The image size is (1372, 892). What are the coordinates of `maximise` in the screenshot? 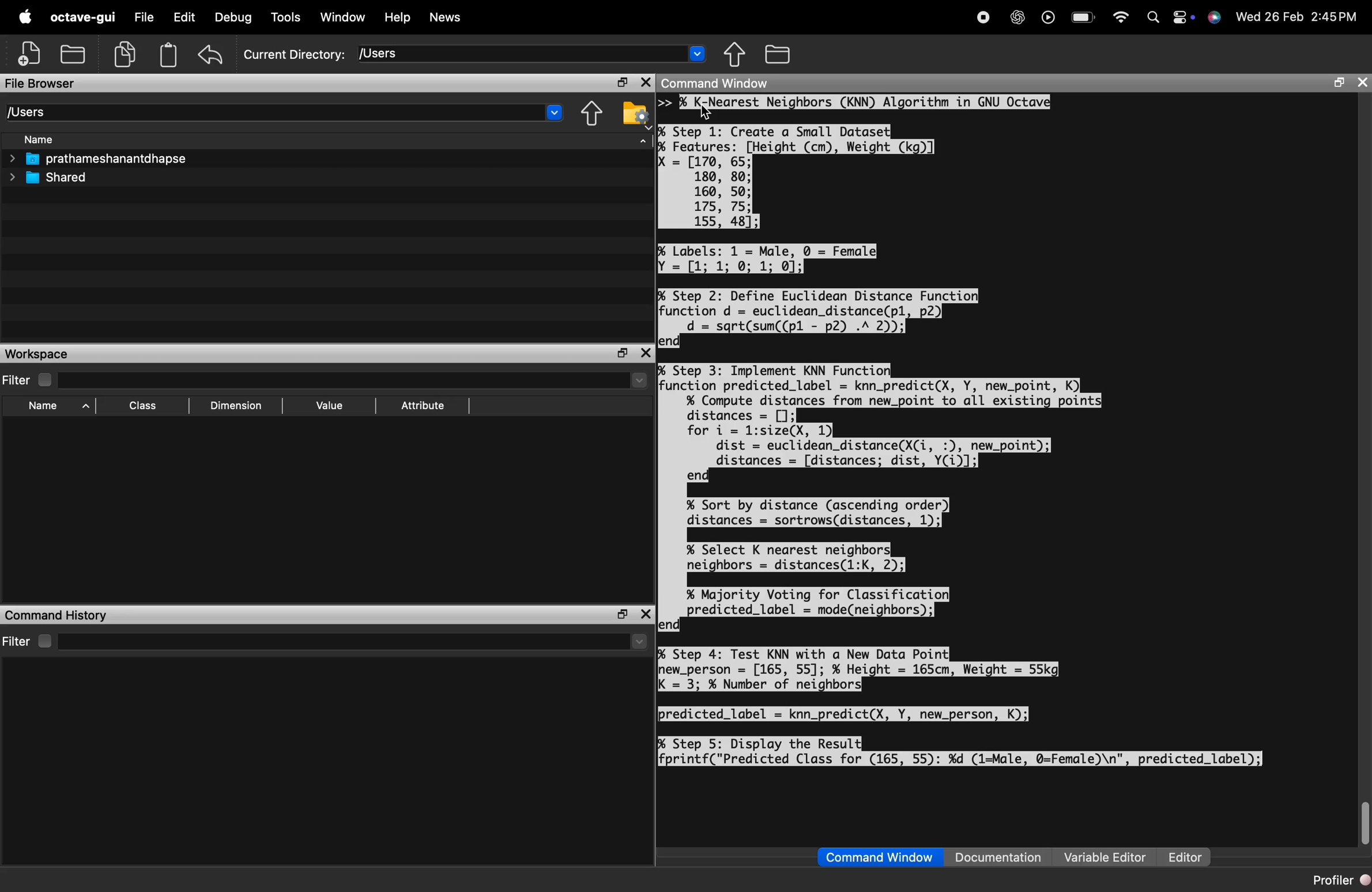 It's located at (1335, 85).